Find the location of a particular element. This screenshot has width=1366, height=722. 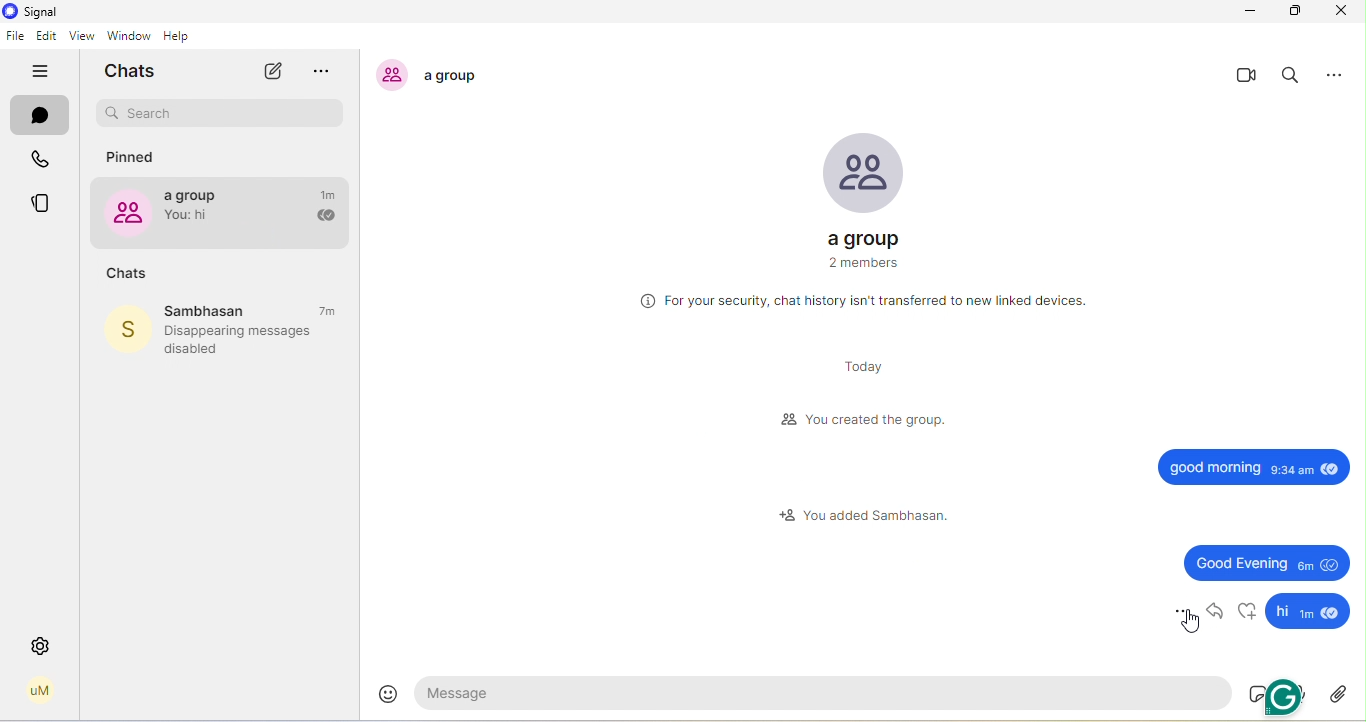

hi is located at coordinates (1308, 612).